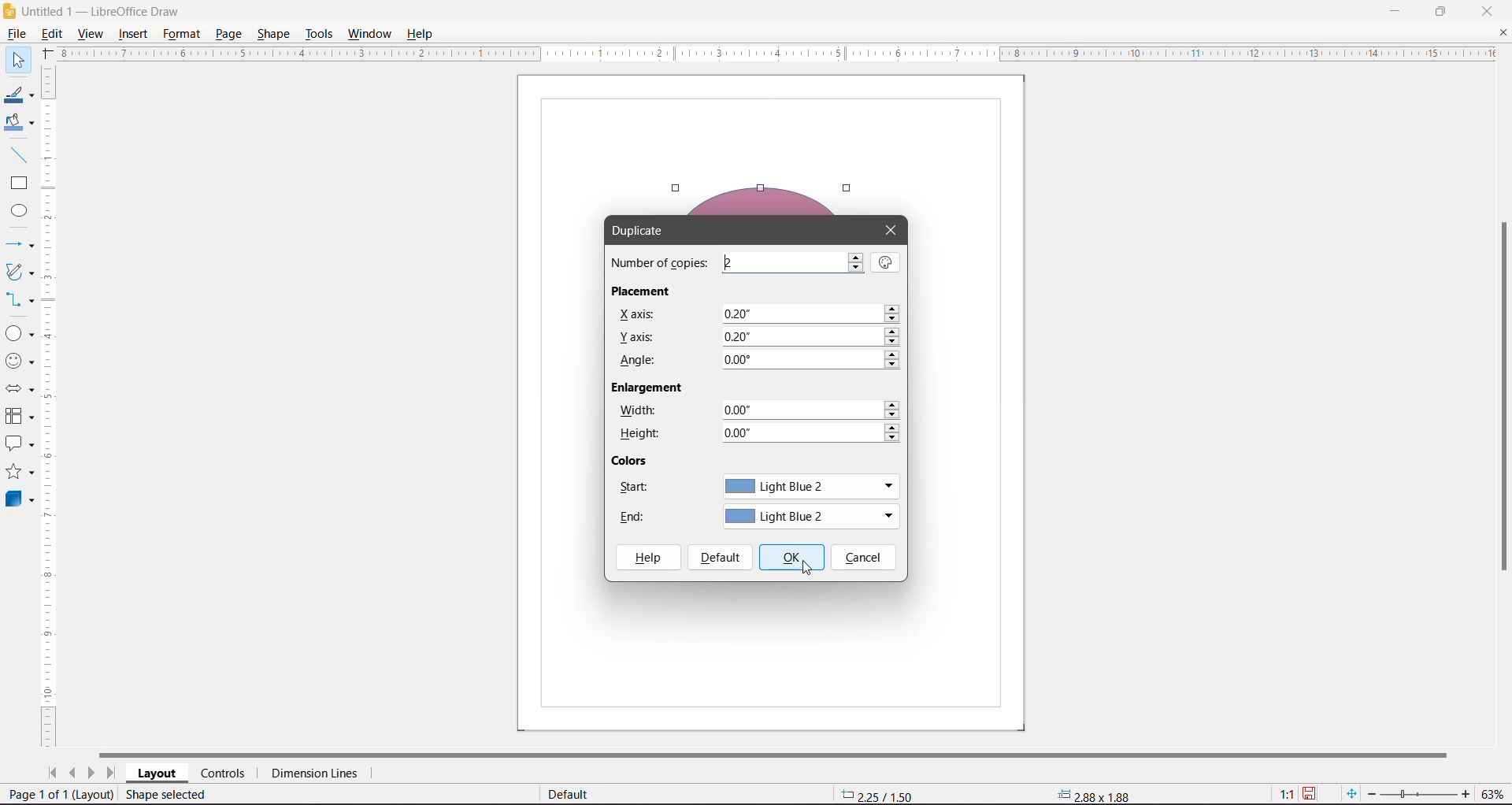  Describe the element at coordinates (9, 10) in the screenshot. I see `Application Logo` at that location.